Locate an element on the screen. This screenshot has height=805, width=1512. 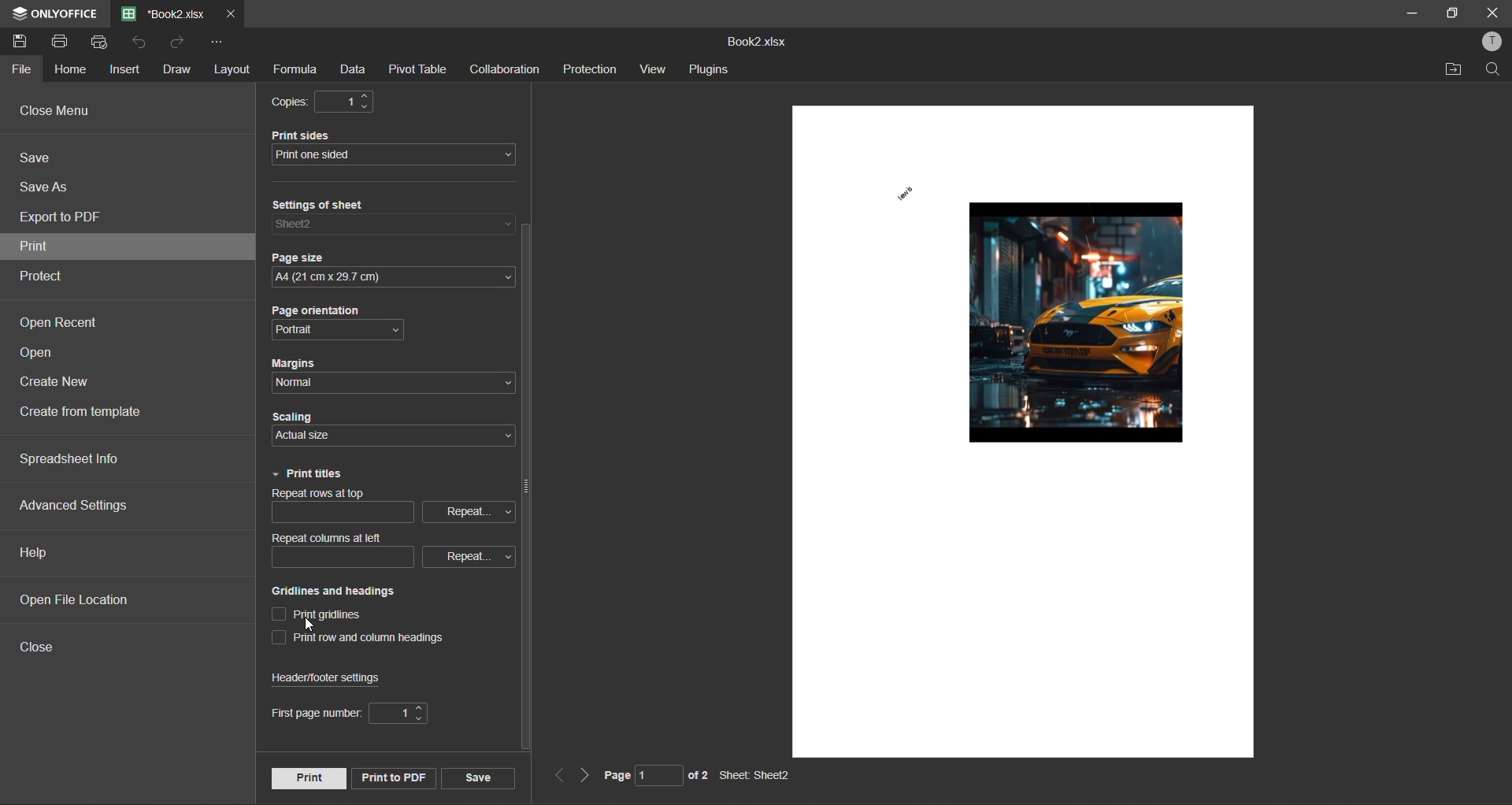
open recent is located at coordinates (57, 323).